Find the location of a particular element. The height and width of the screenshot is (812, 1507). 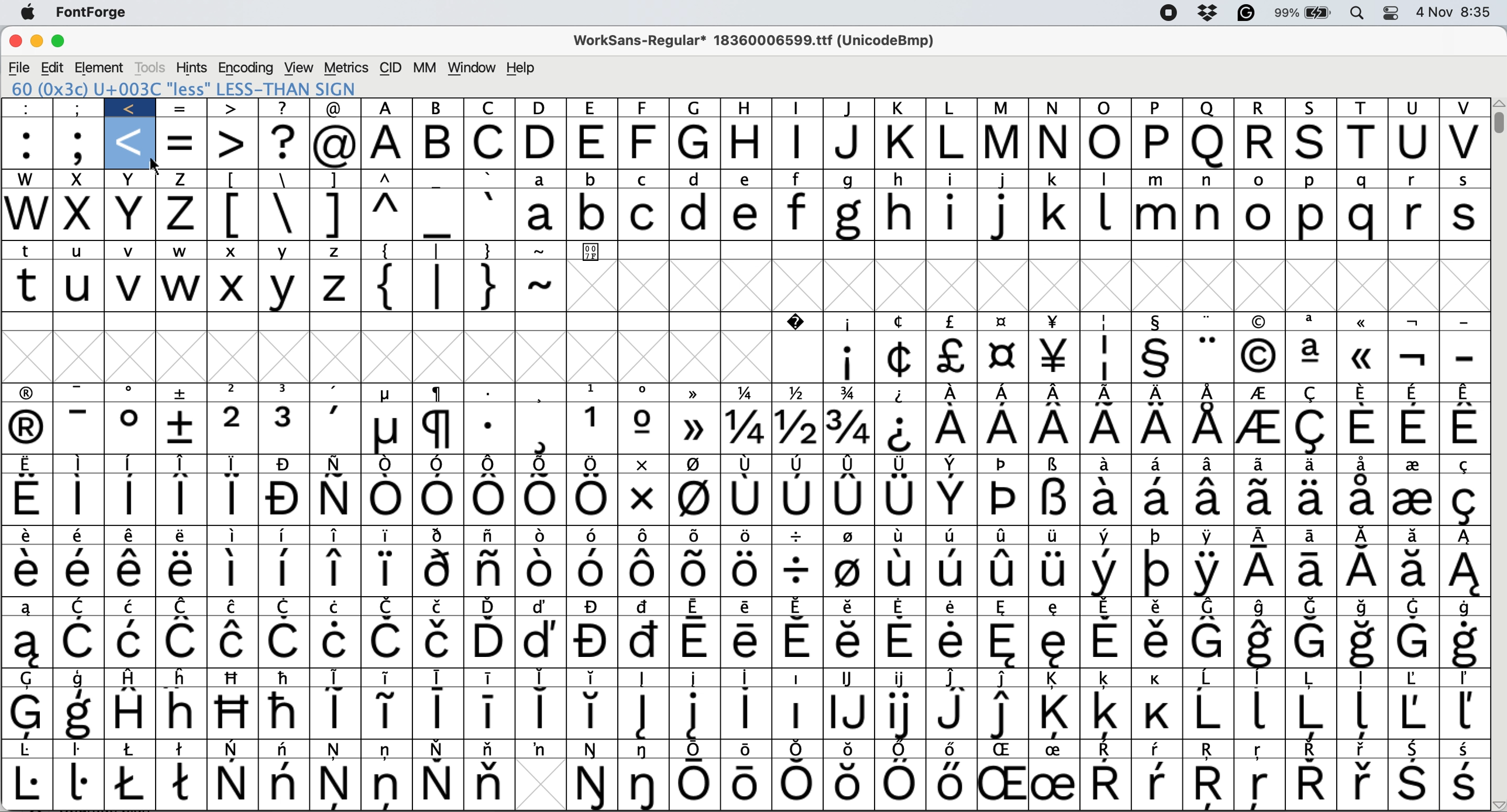

file is located at coordinates (20, 66).